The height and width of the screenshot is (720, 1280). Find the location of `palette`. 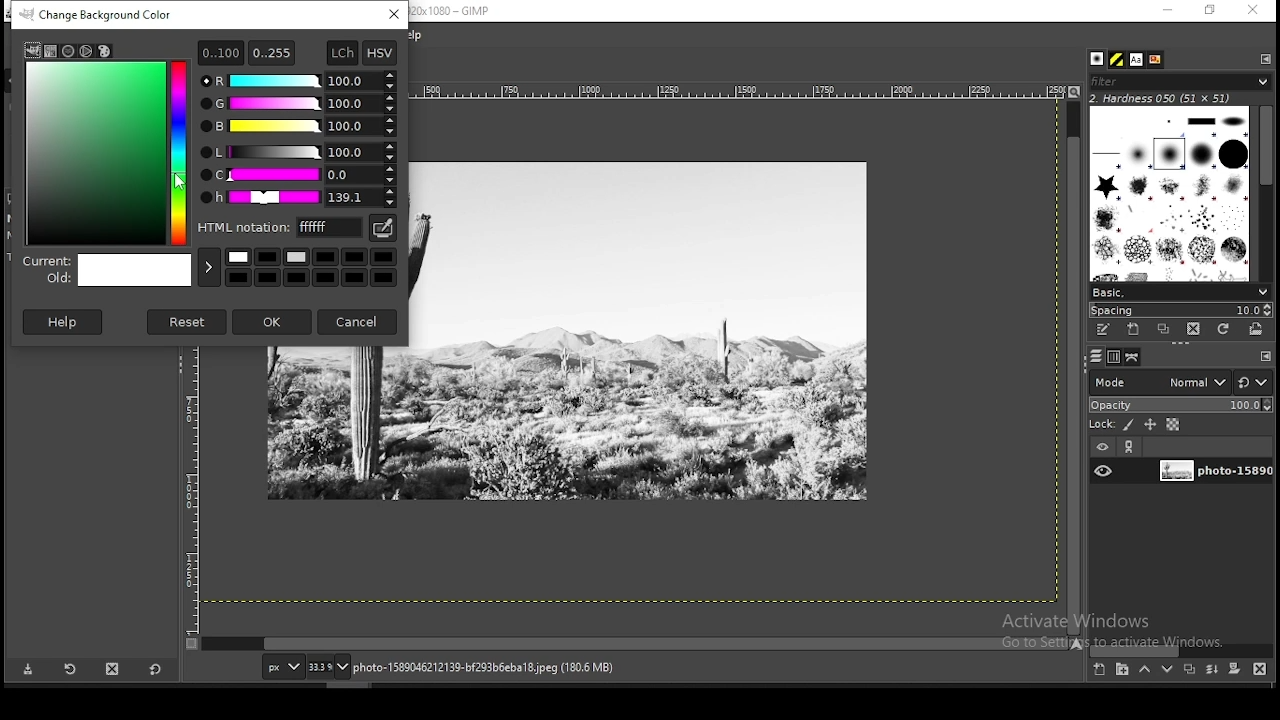

palette is located at coordinates (104, 51).